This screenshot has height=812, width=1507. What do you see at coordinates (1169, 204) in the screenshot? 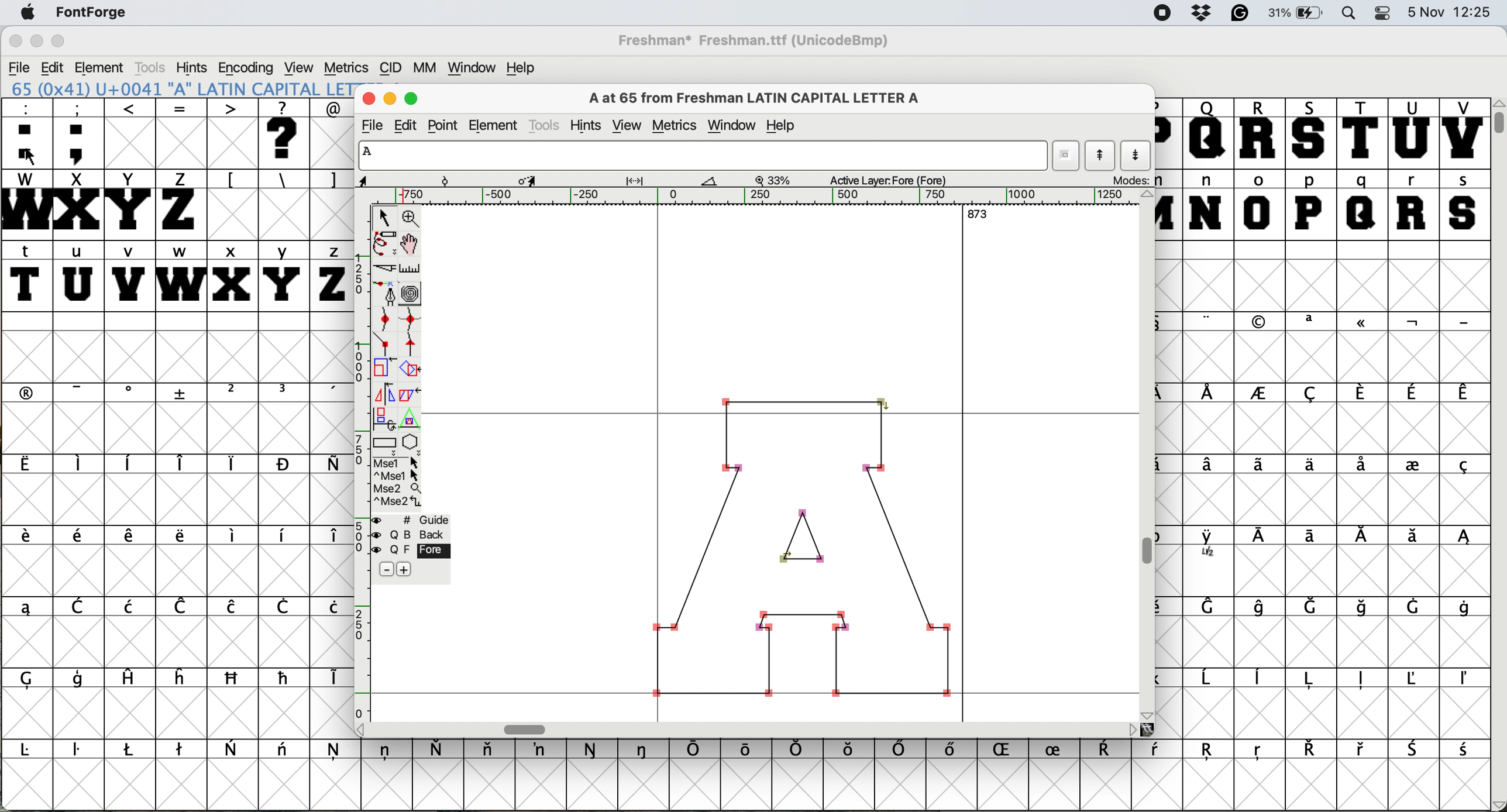
I see `m` at bounding box center [1169, 204].